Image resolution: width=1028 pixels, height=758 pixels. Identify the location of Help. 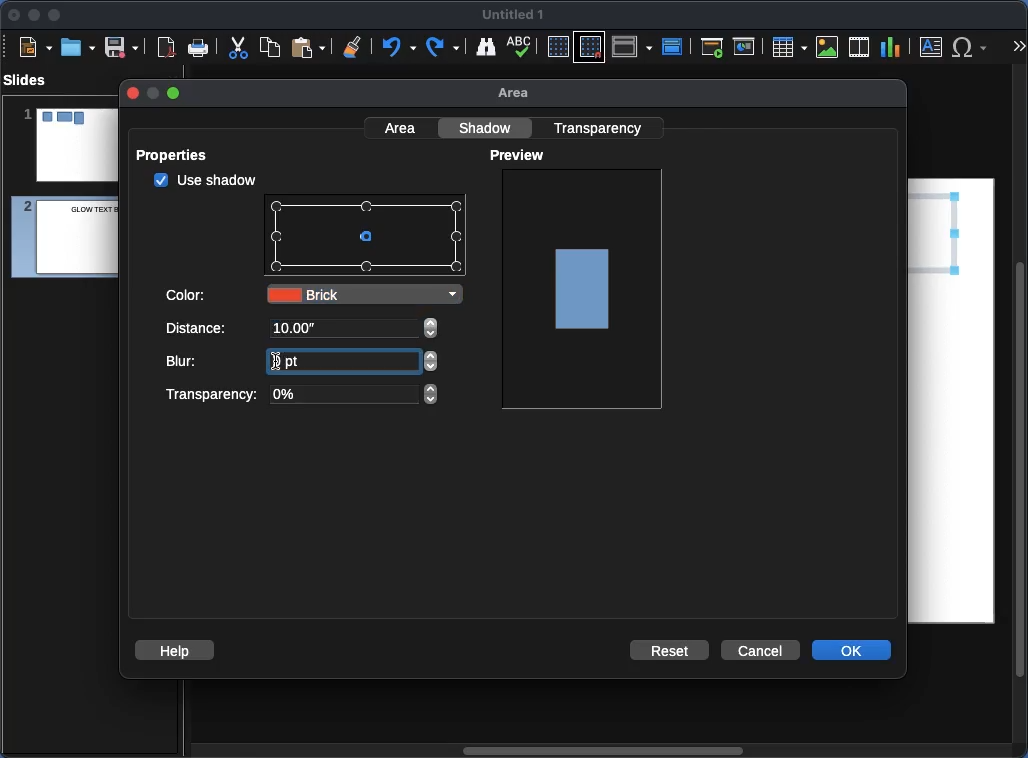
(175, 649).